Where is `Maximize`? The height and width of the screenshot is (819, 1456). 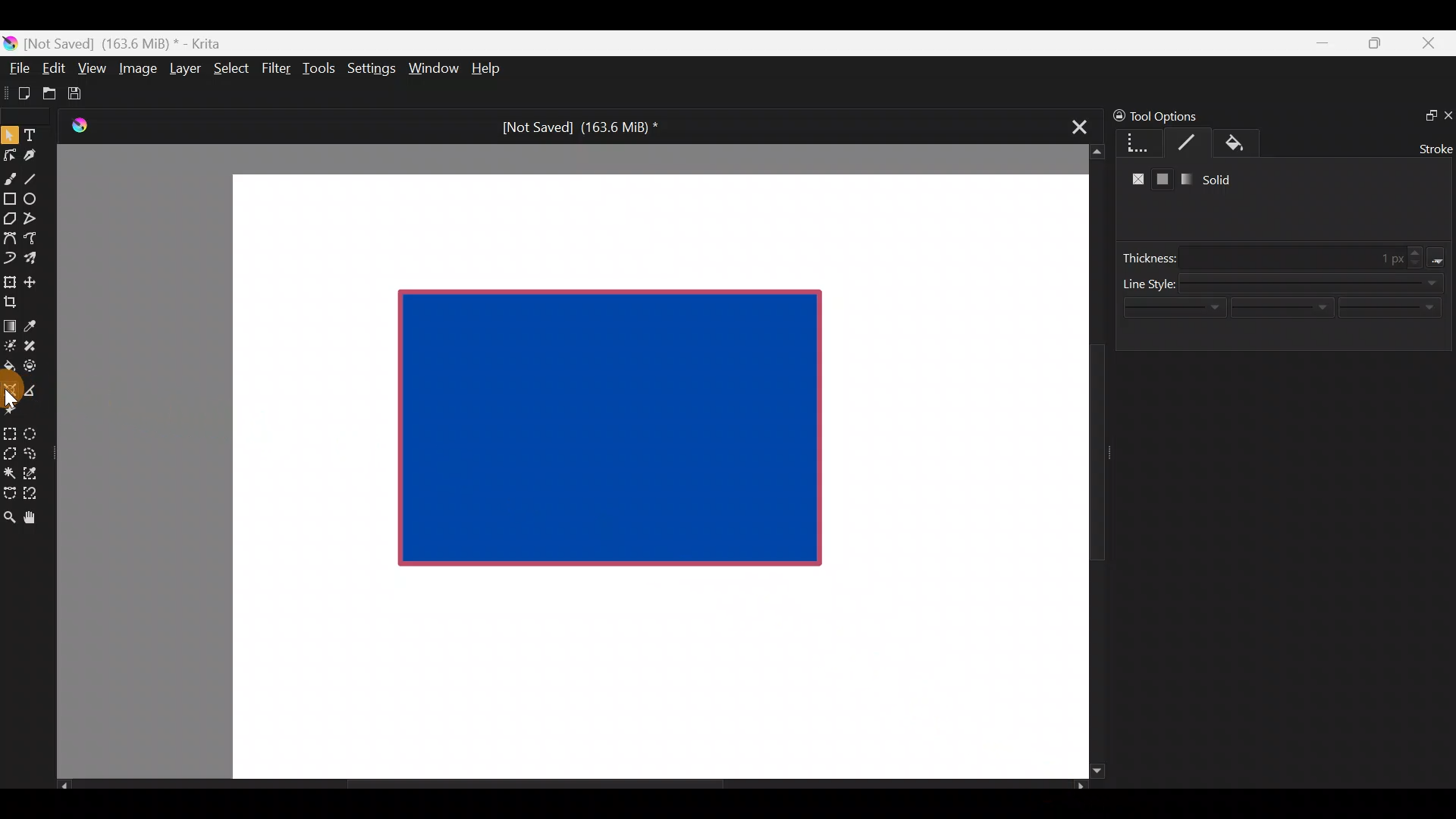
Maximize is located at coordinates (1374, 42).